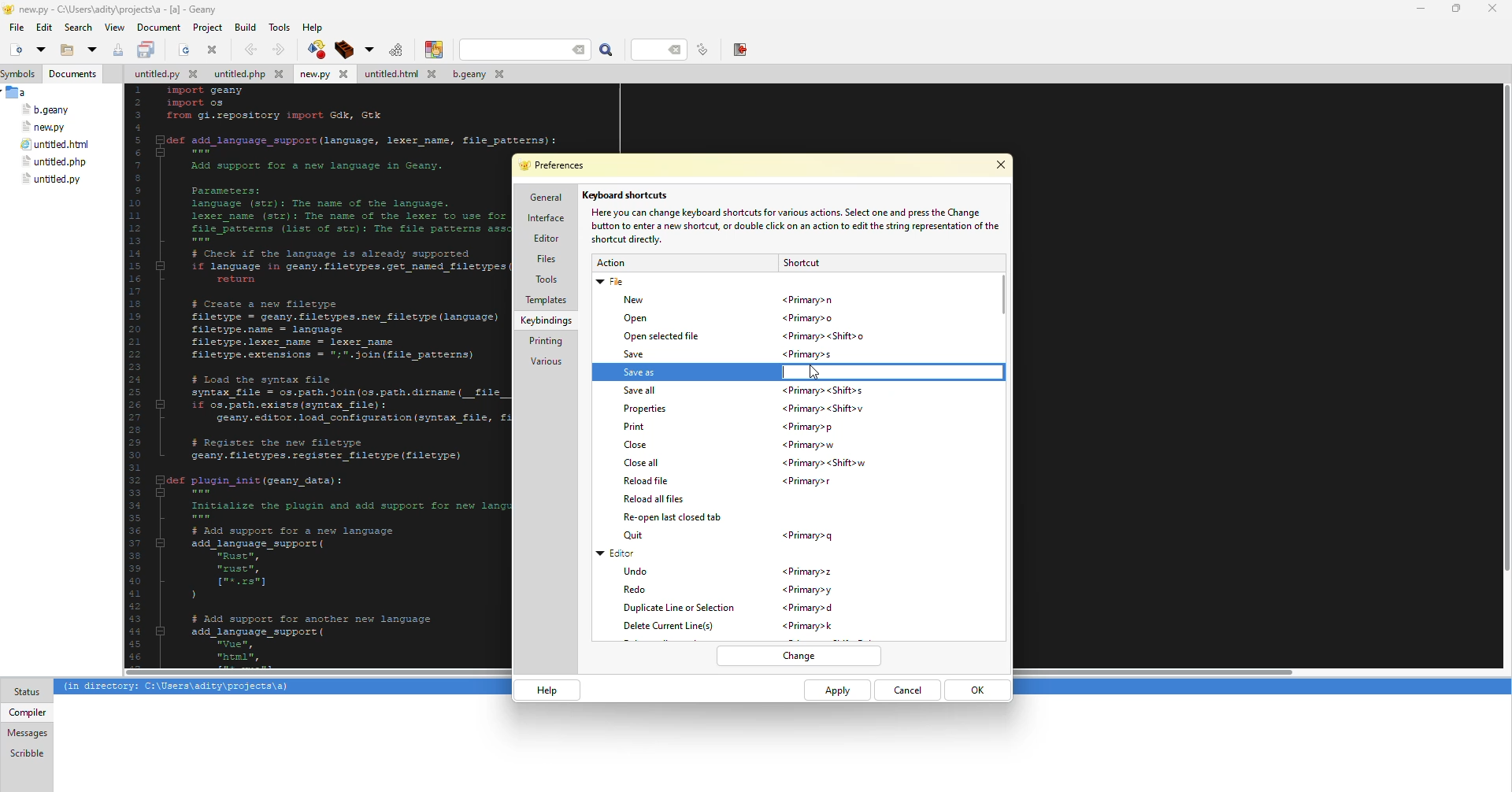 This screenshot has width=1512, height=792. Describe the element at coordinates (835, 691) in the screenshot. I see `apply` at that location.